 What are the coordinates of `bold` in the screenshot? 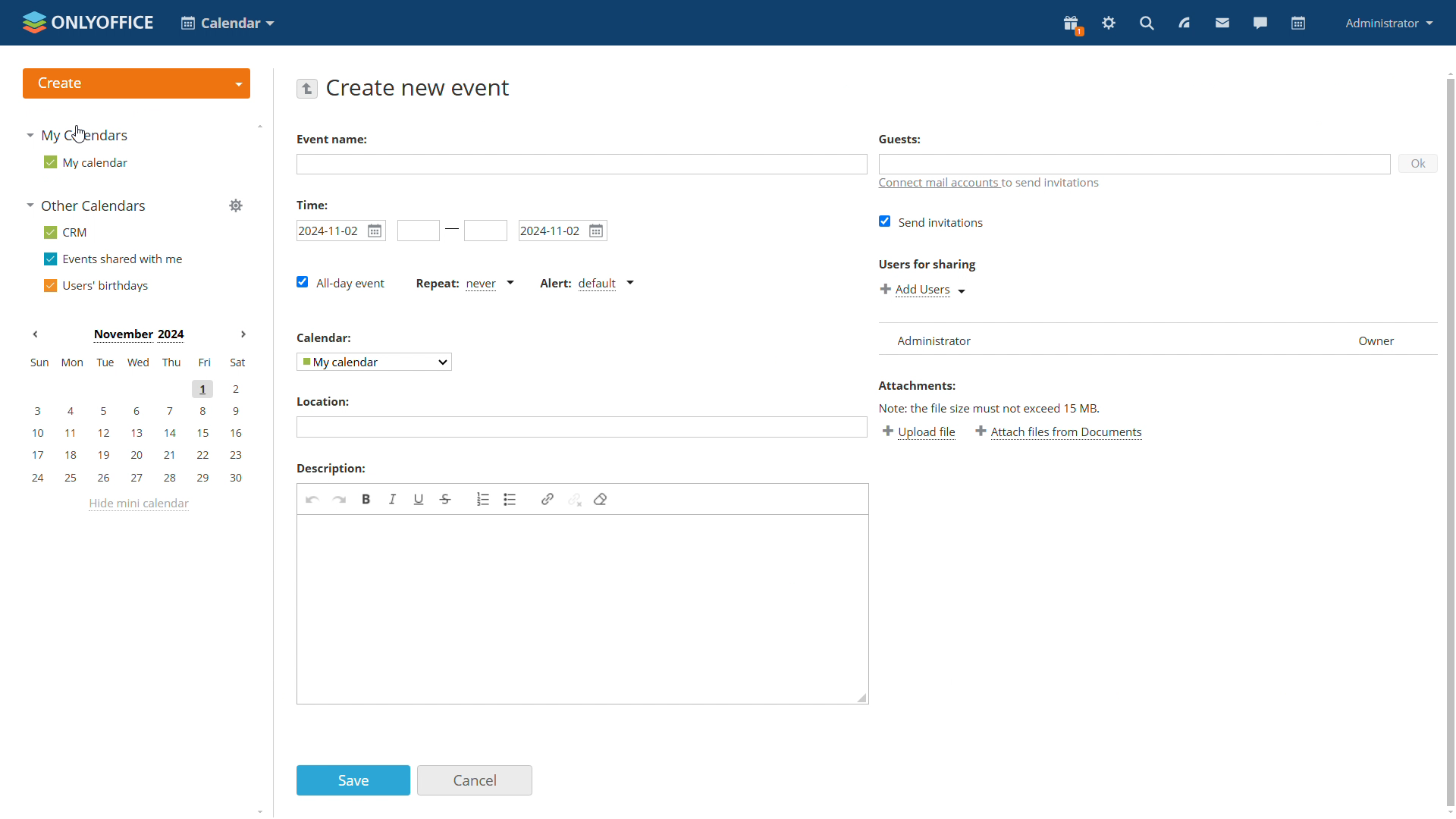 It's located at (368, 499).